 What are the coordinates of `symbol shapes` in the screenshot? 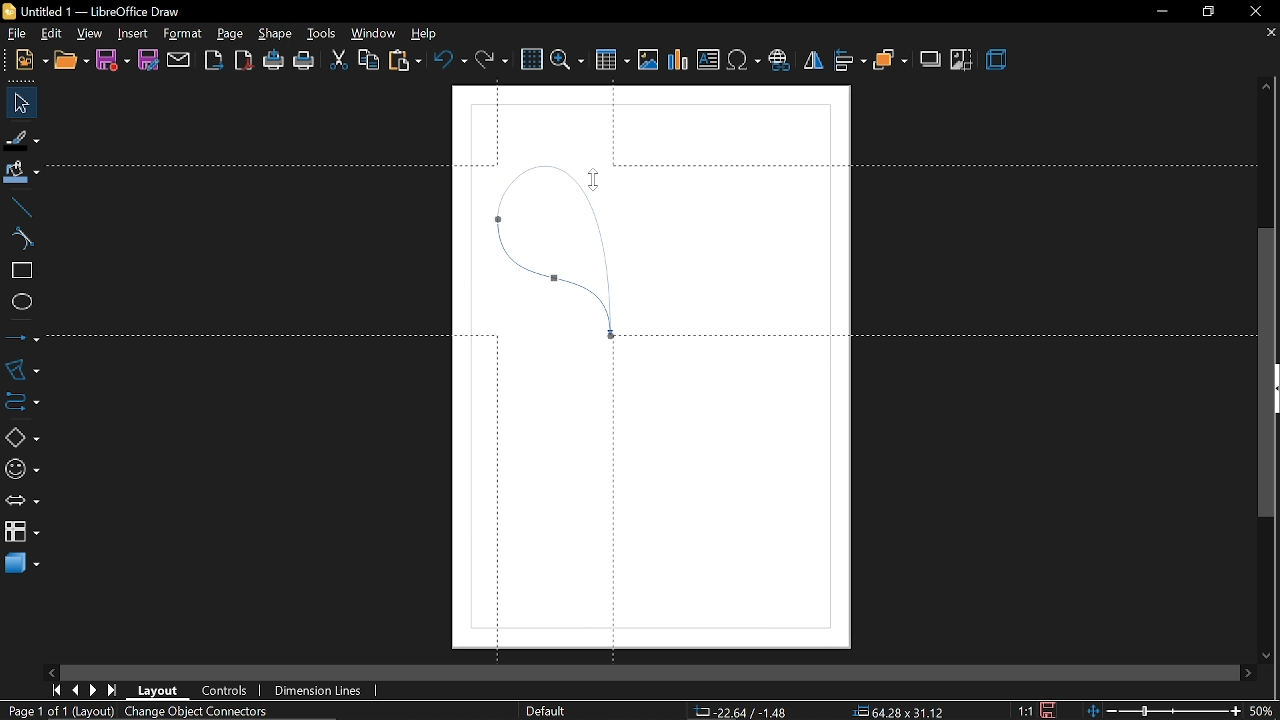 It's located at (20, 466).